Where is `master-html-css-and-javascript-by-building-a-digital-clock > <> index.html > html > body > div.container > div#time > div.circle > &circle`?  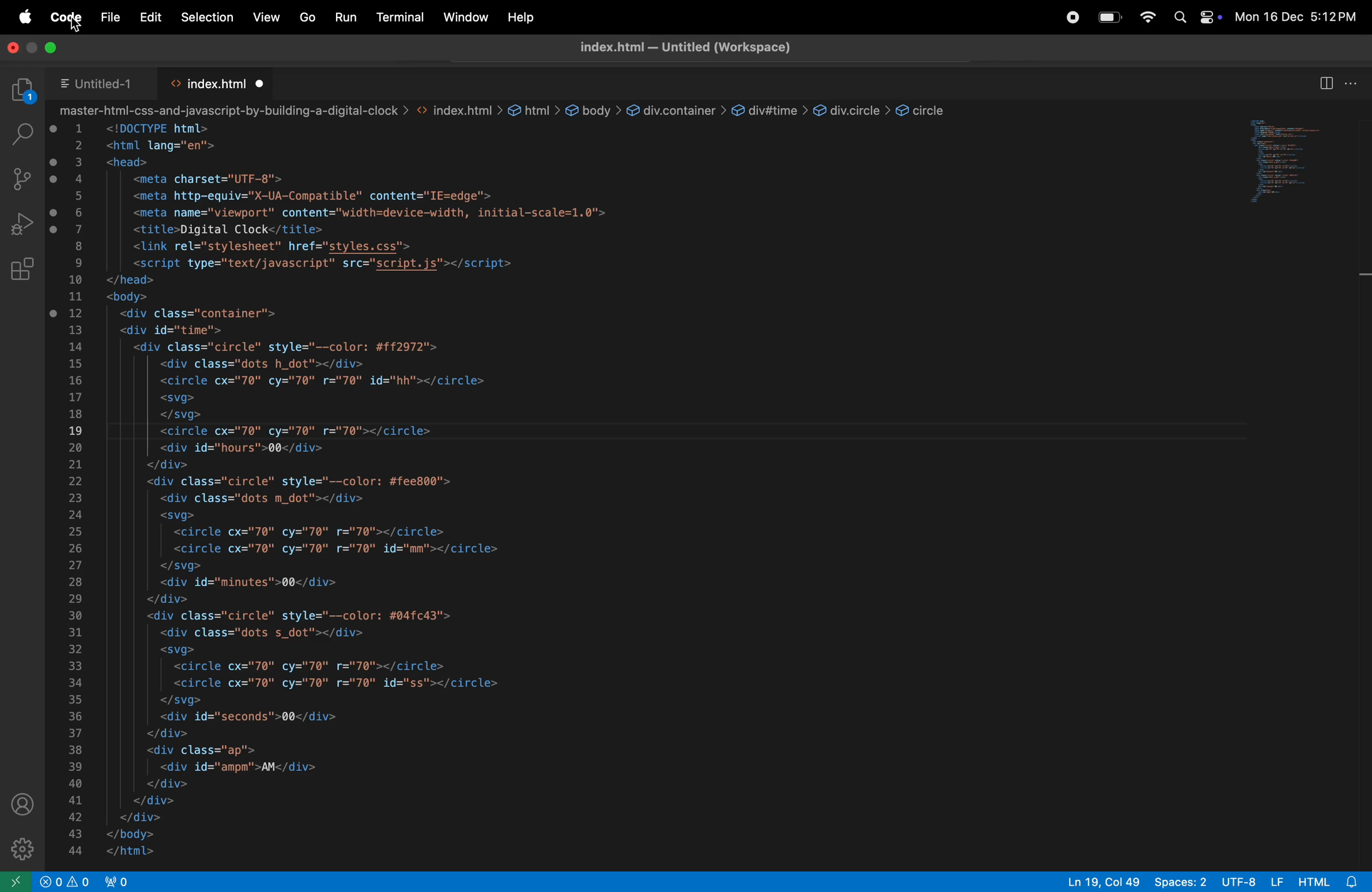
master-html-css-and-javascript-by-building-a-digital-clock > <> index.html > html > body > div.container > div#time > div.circle > &circle is located at coordinates (510, 109).